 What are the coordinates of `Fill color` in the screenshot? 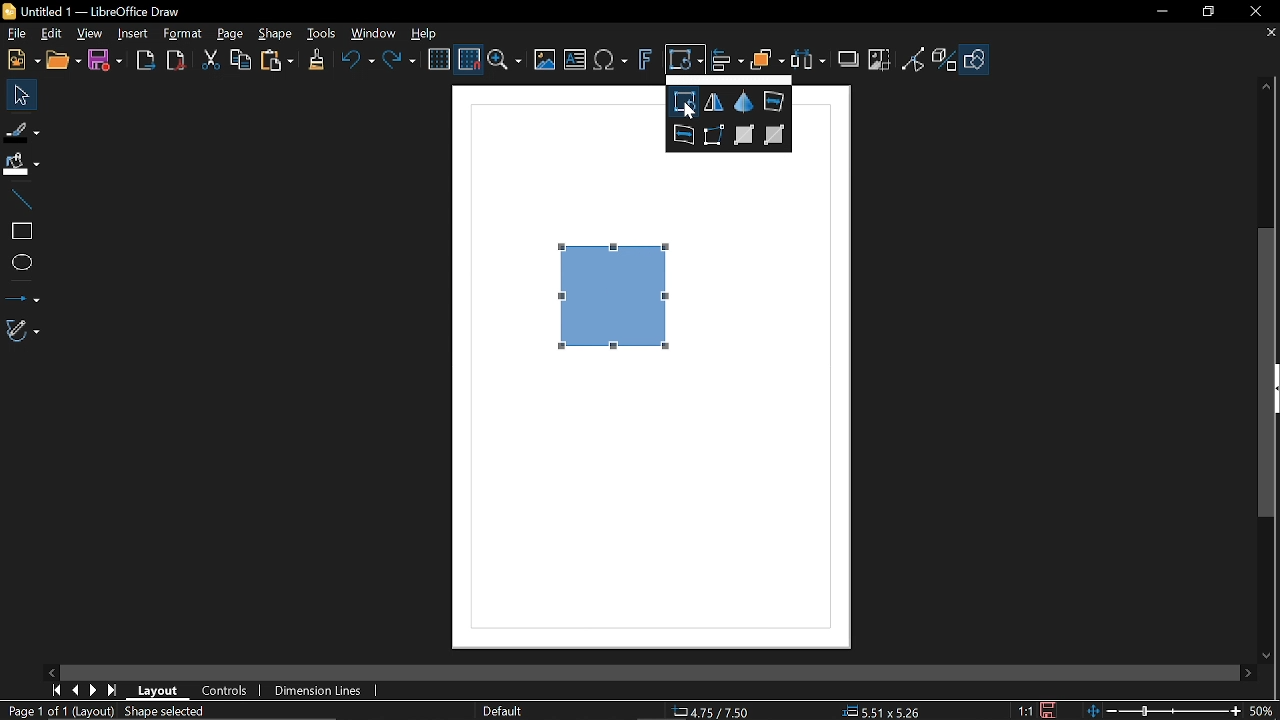 It's located at (22, 164).